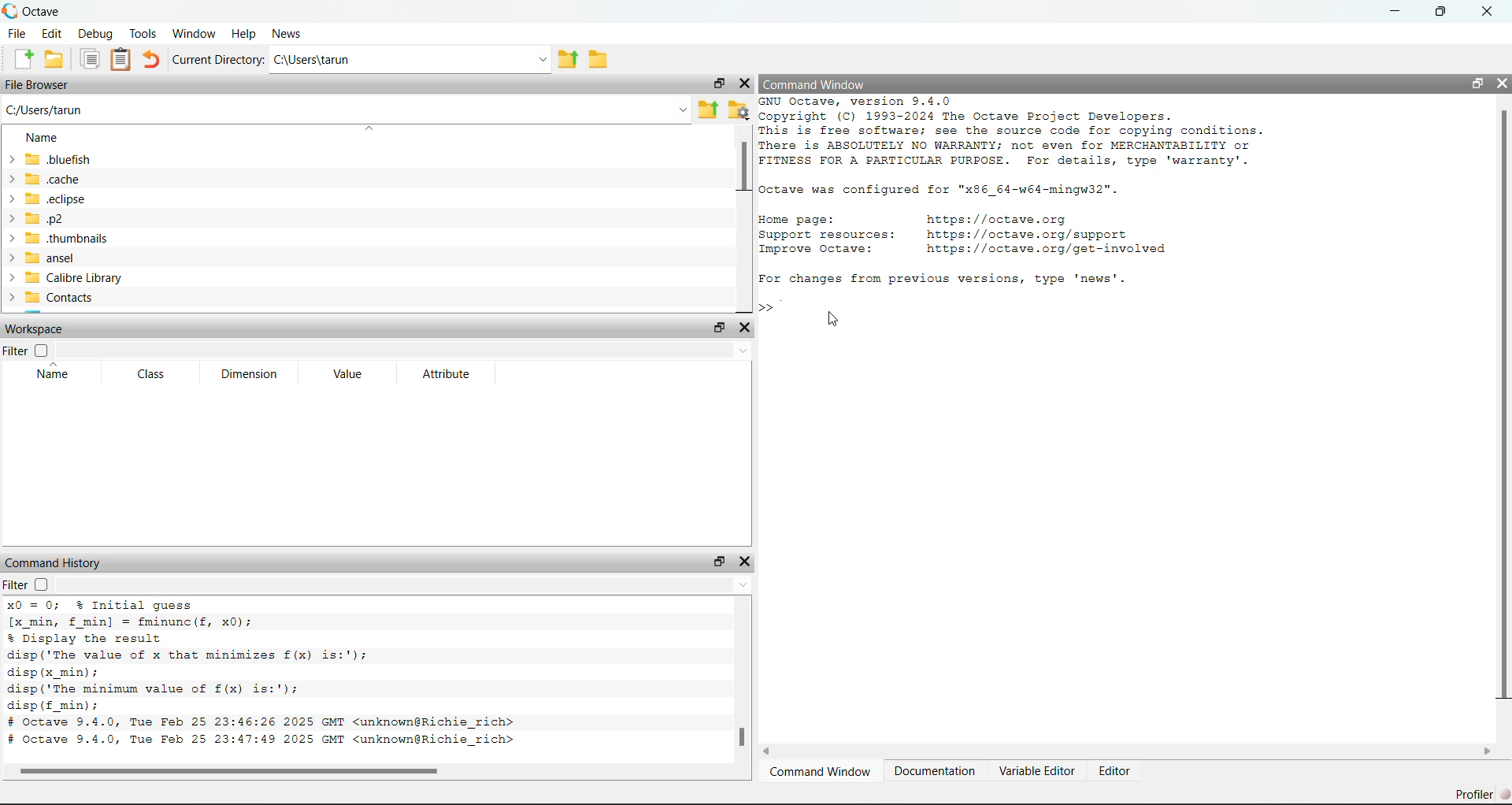 The width and height of the screenshot is (1512, 805). What do you see at coordinates (822, 770) in the screenshot?
I see `Camera Window` at bounding box center [822, 770].